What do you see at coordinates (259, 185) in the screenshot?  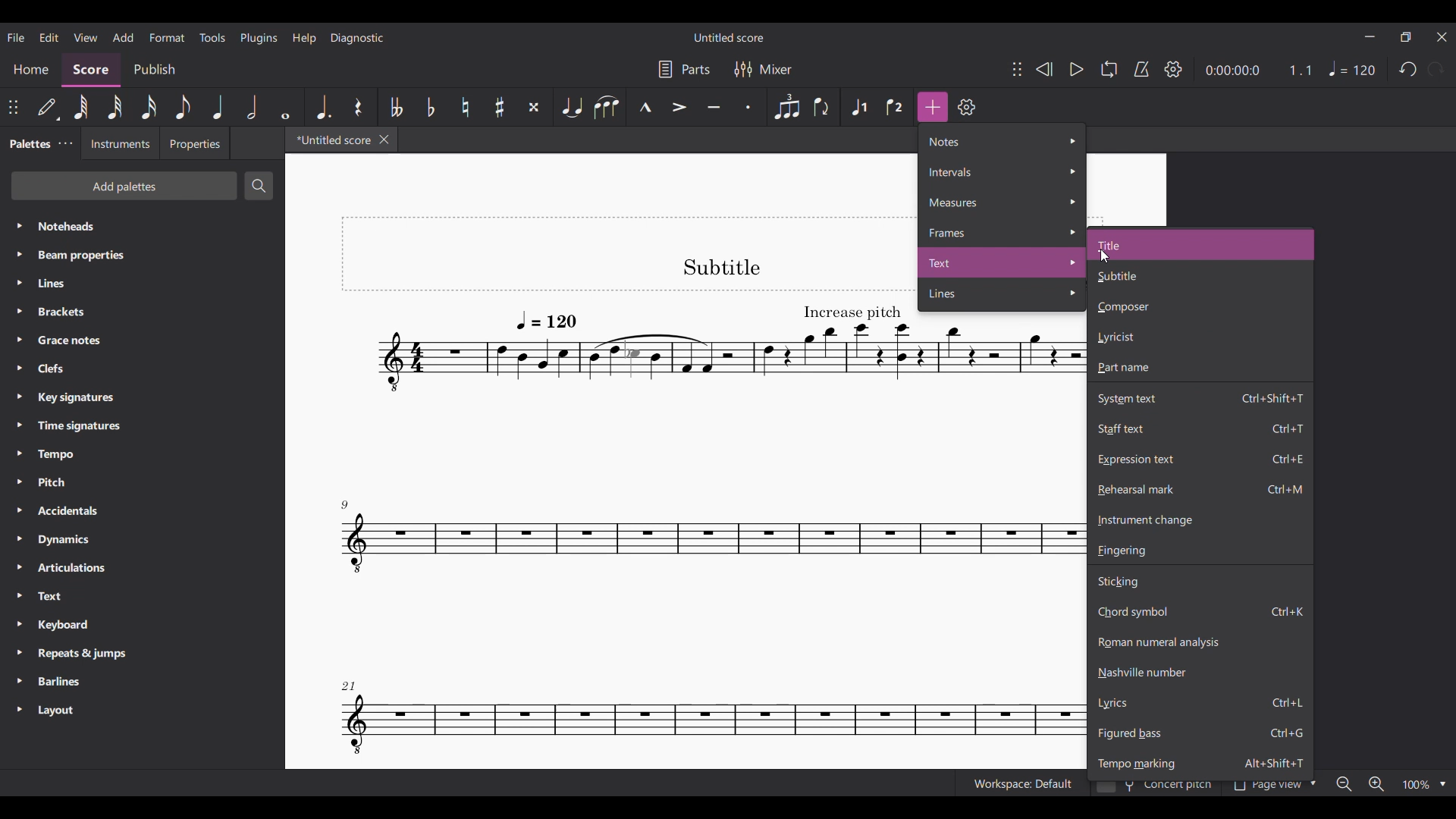 I see `Search` at bounding box center [259, 185].